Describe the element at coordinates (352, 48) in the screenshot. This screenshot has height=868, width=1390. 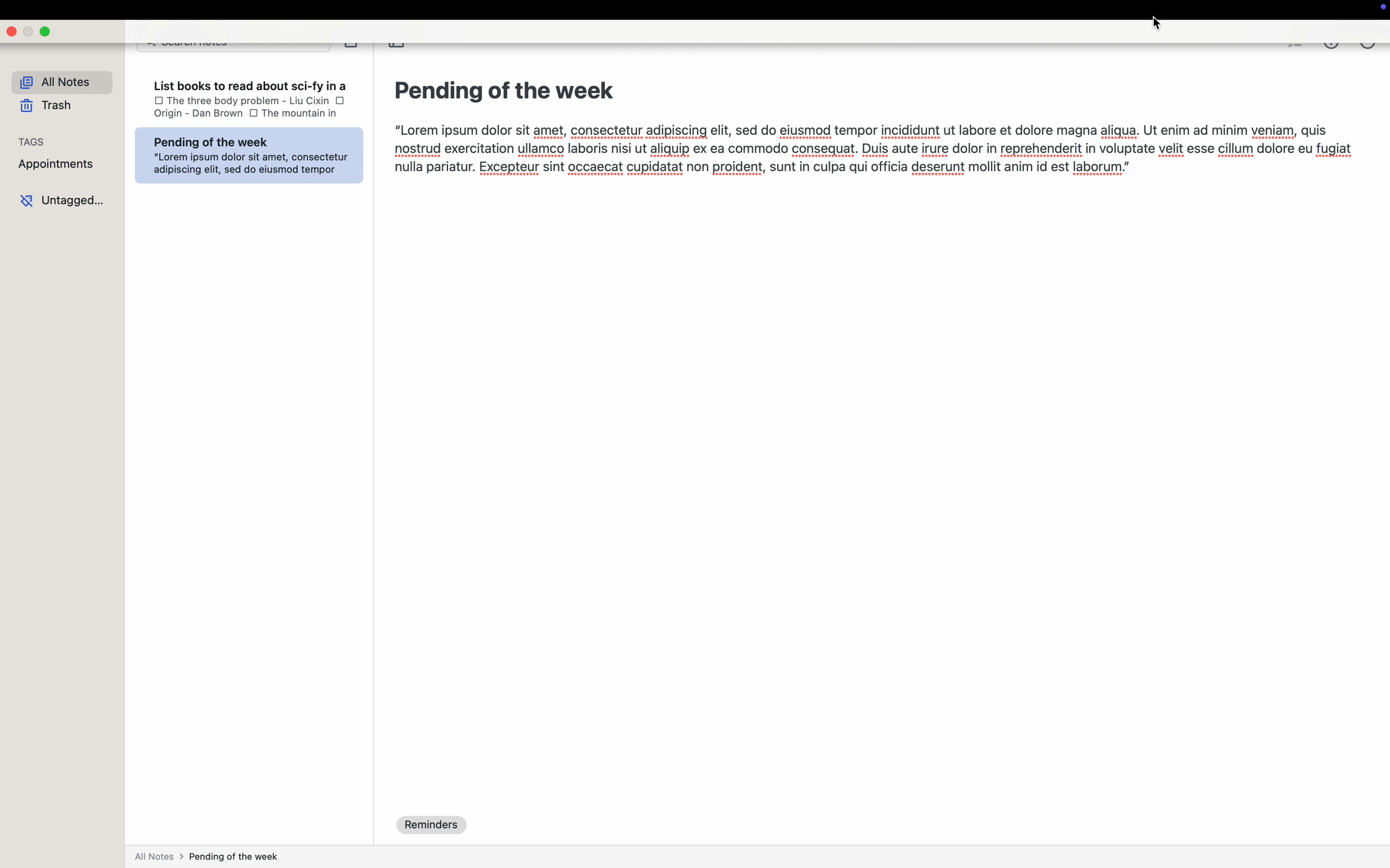
I see `create note` at that location.